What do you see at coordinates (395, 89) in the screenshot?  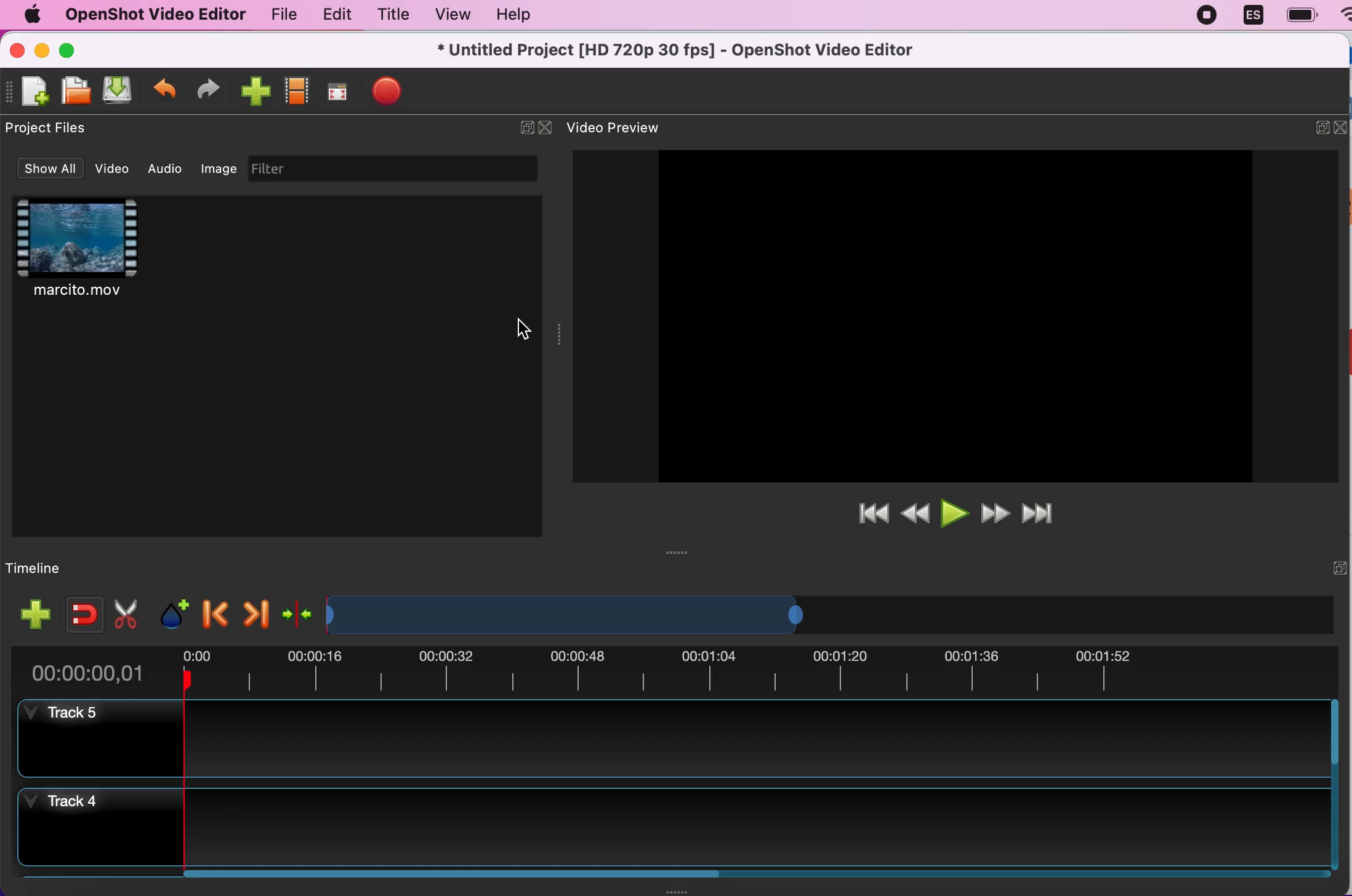 I see `export files` at bounding box center [395, 89].